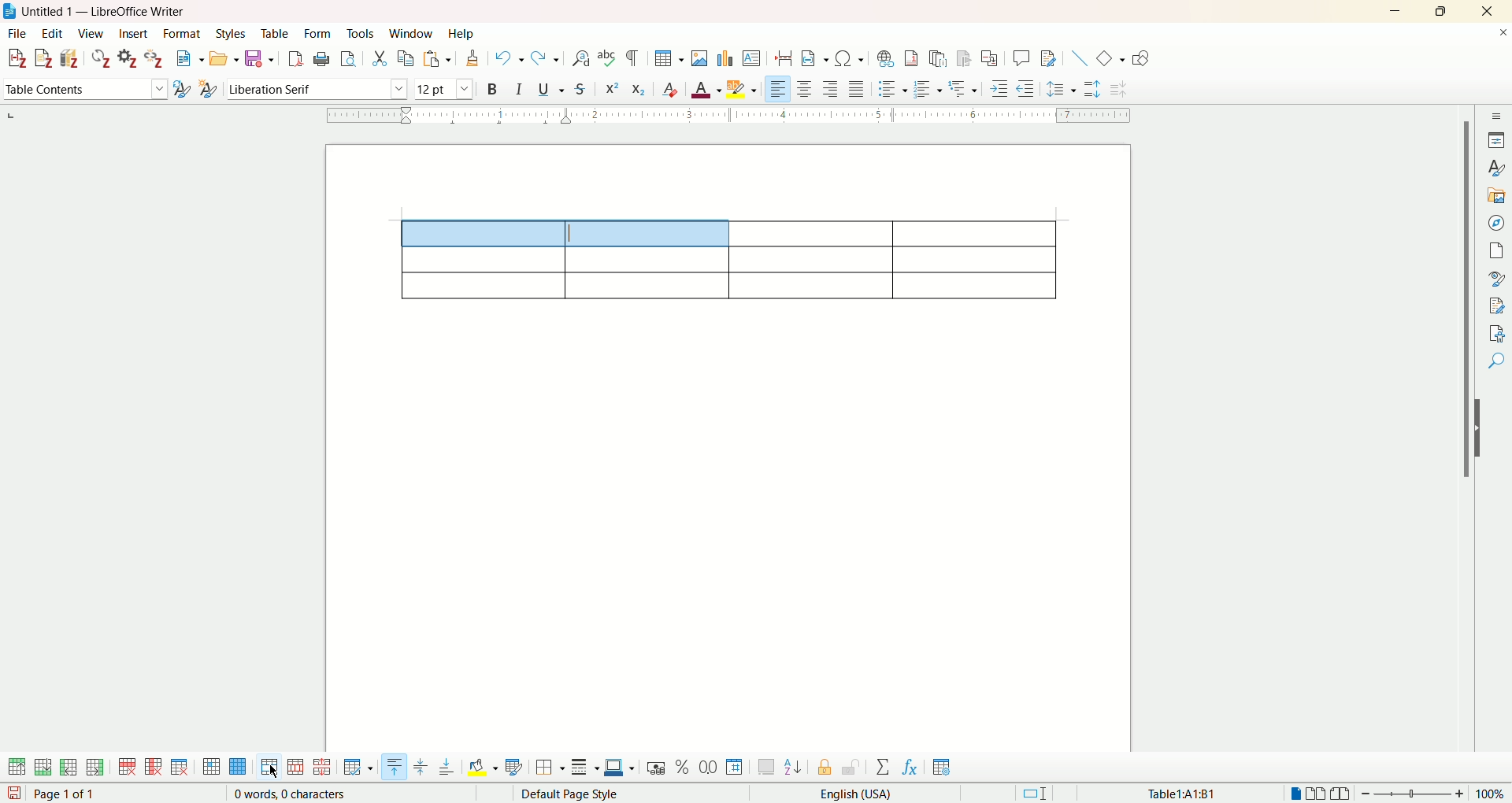 The image size is (1512, 803). Describe the element at coordinates (894, 89) in the screenshot. I see `unordered list` at that location.